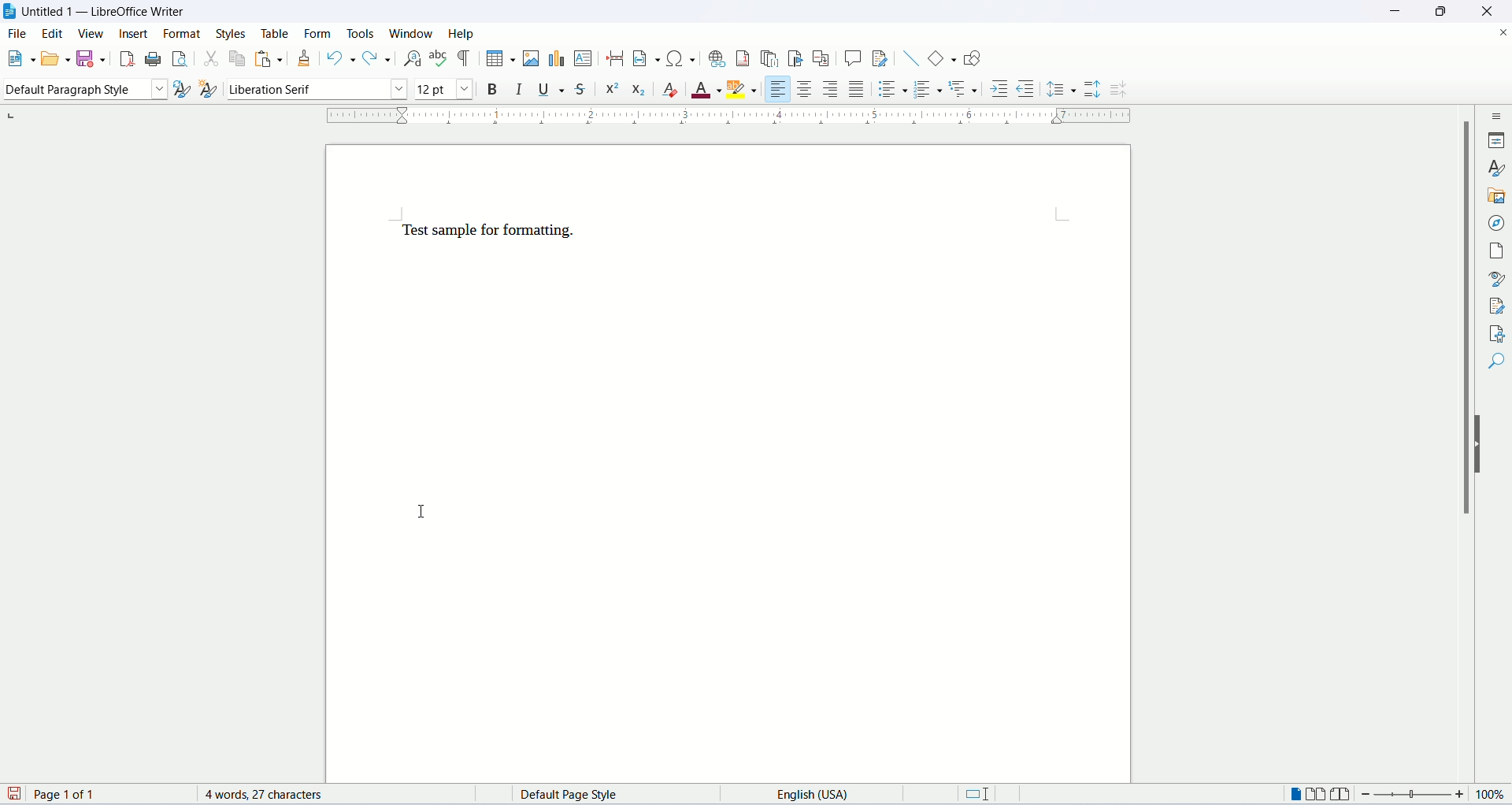 The width and height of the screenshot is (1512, 805). I want to click on Untitled 1 - LibreOffice Writer, so click(106, 13).